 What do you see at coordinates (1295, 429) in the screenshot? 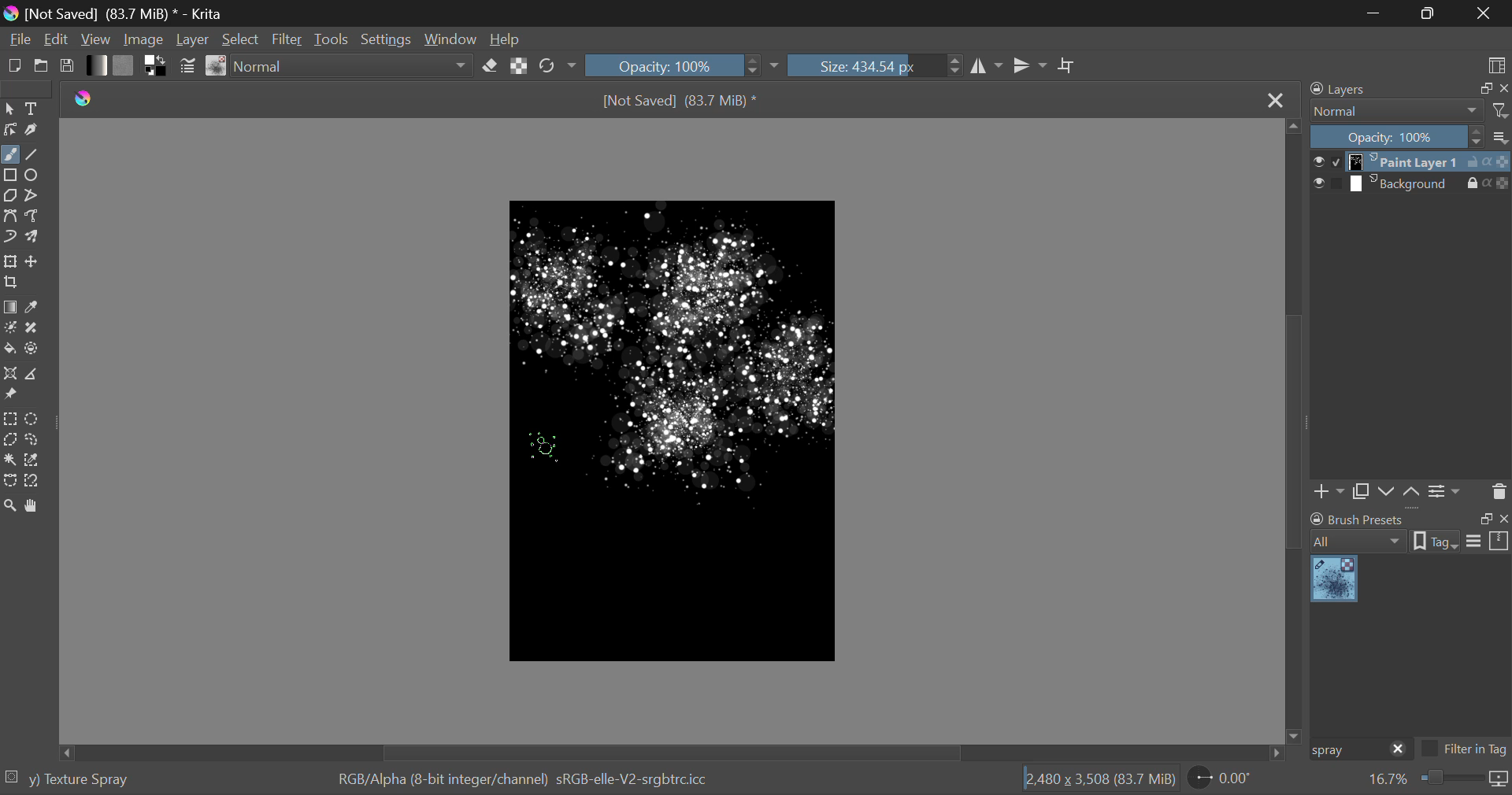
I see `Scroll Bar` at bounding box center [1295, 429].